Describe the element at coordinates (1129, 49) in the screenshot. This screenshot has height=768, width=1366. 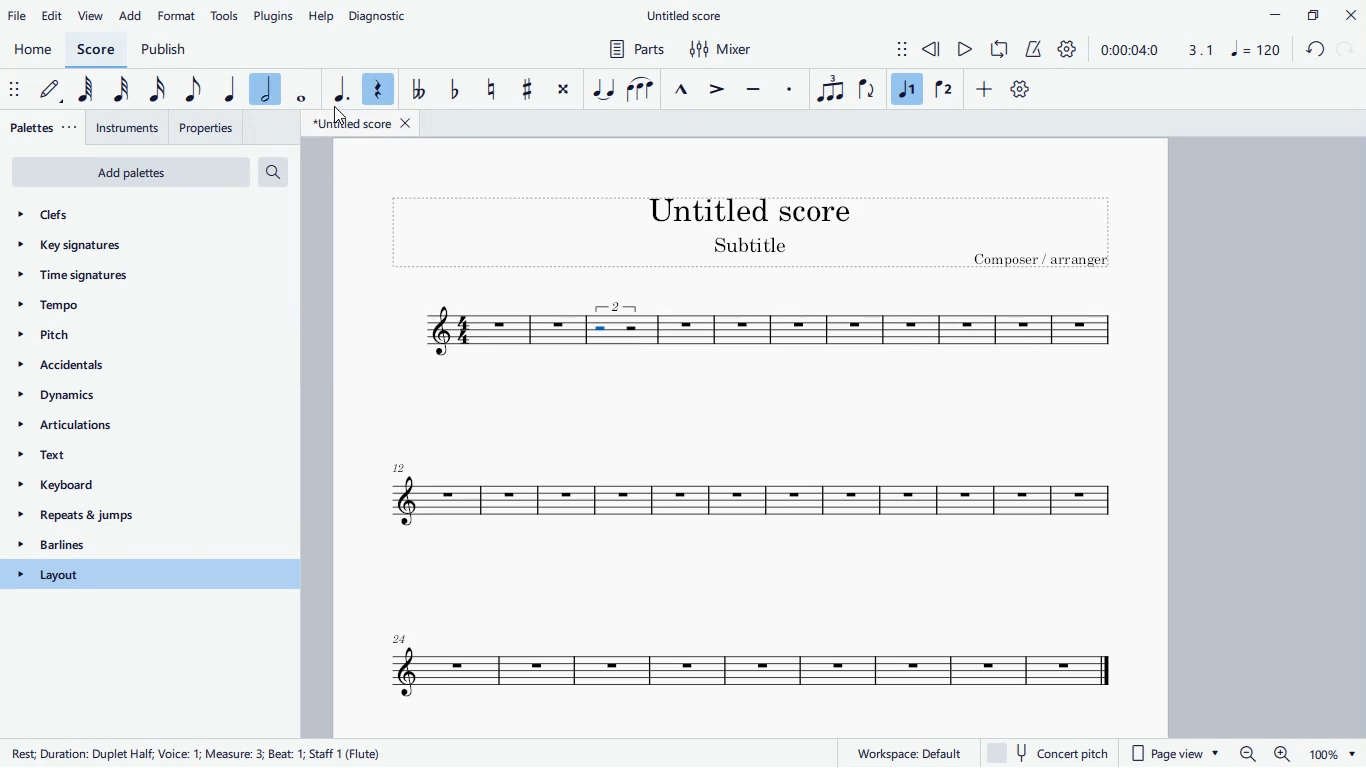
I see `time` at that location.